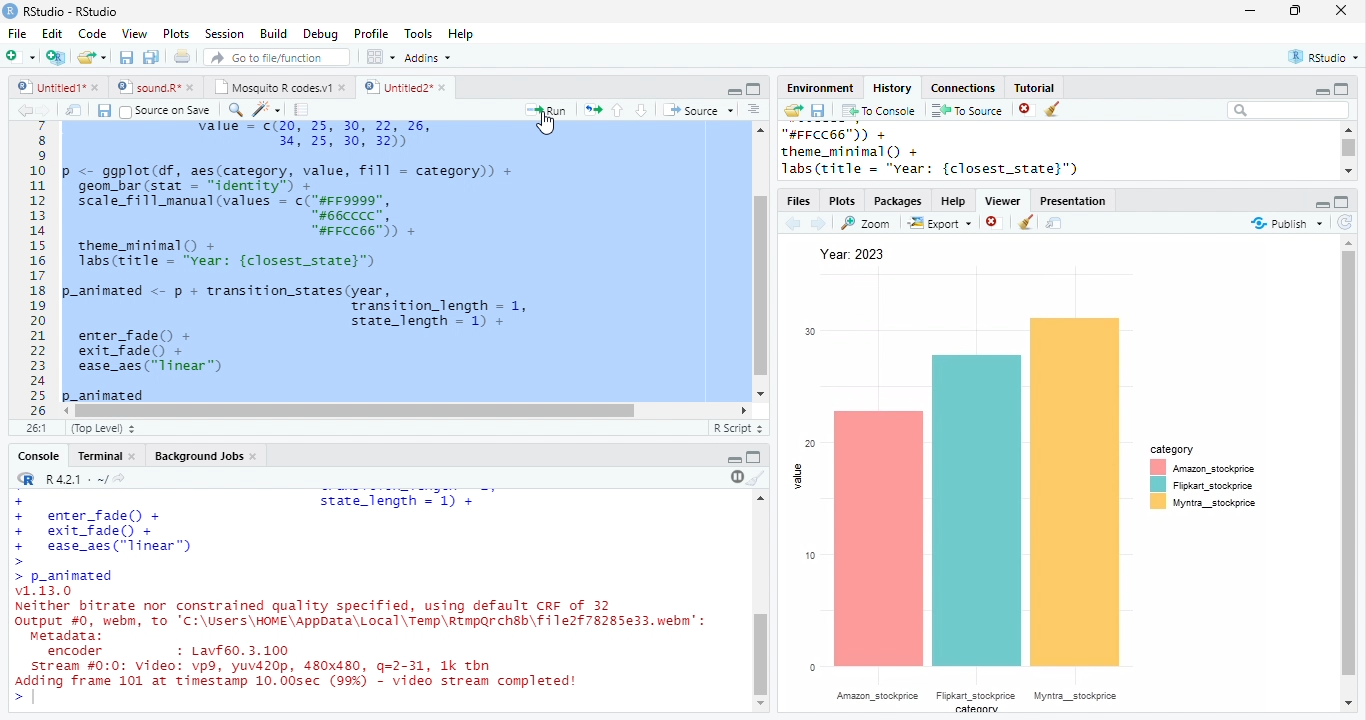 The image size is (1366, 720). What do you see at coordinates (737, 427) in the screenshot?
I see `R Script` at bounding box center [737, 427].